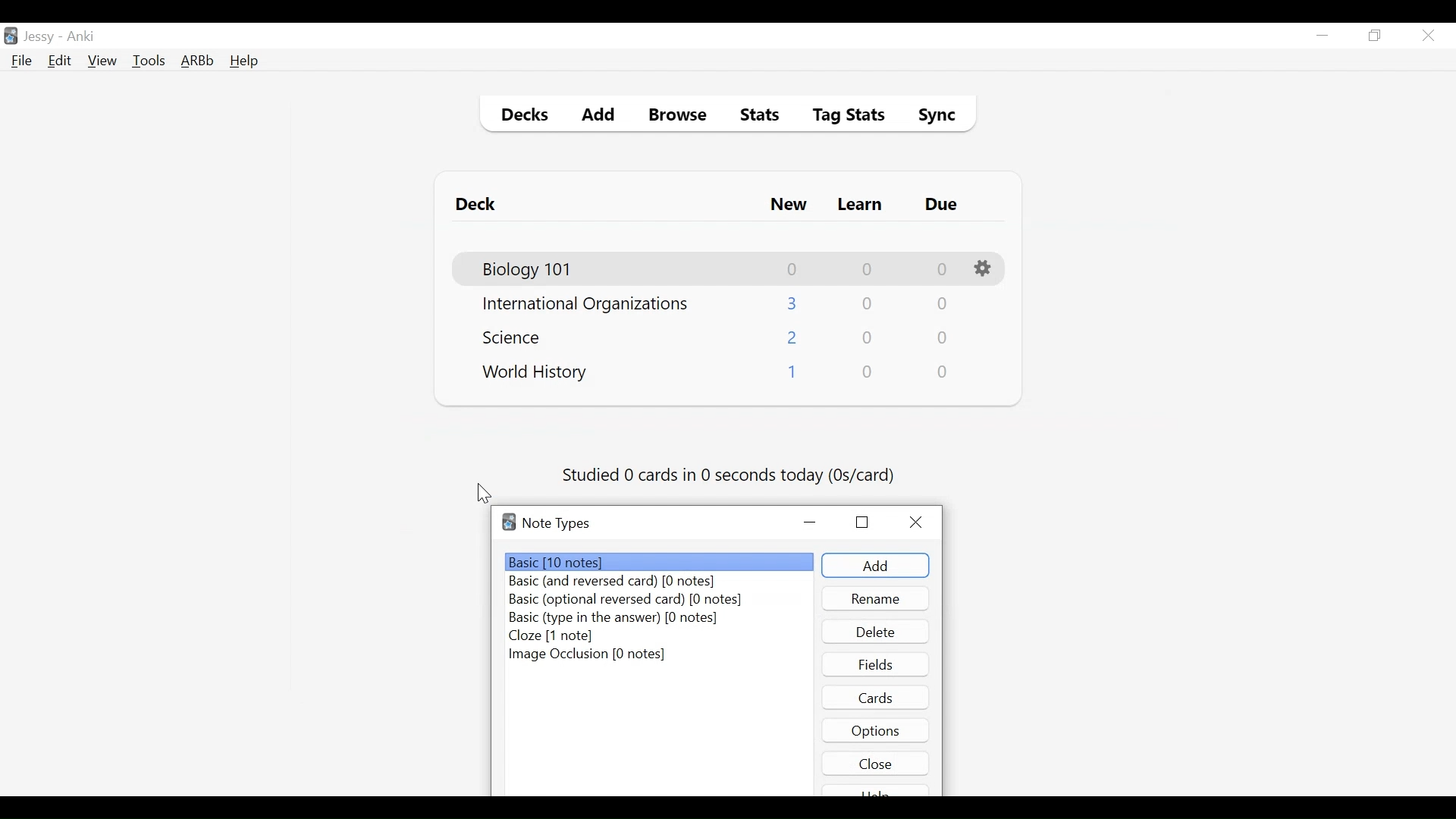 This screenshot has height=819, width=1456. Describe the element at coordinates (943, 205) in the screenshot. I see `Due` at that location.